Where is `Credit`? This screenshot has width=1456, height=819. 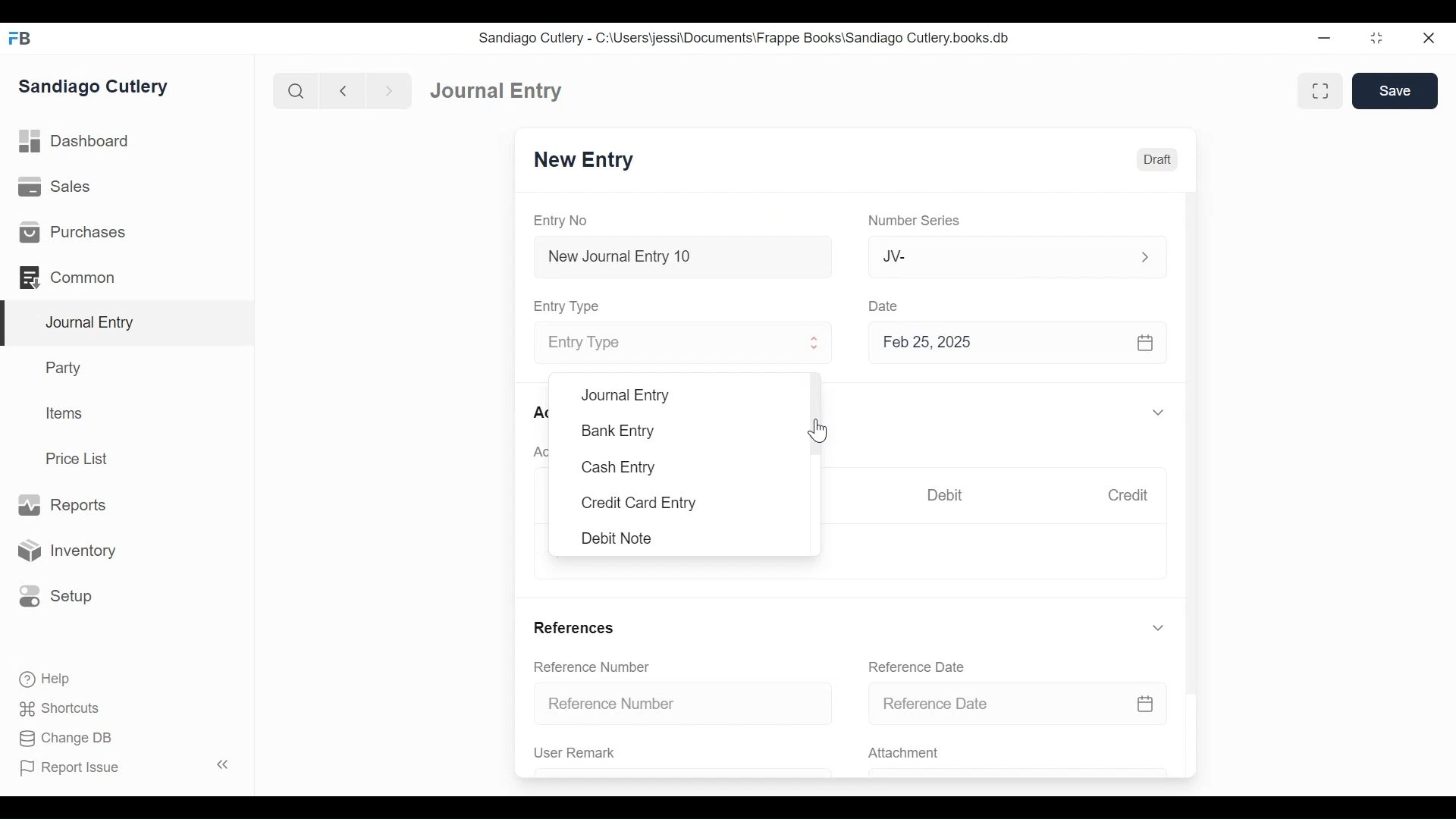 Credit is located at coordinates (1131, 497).